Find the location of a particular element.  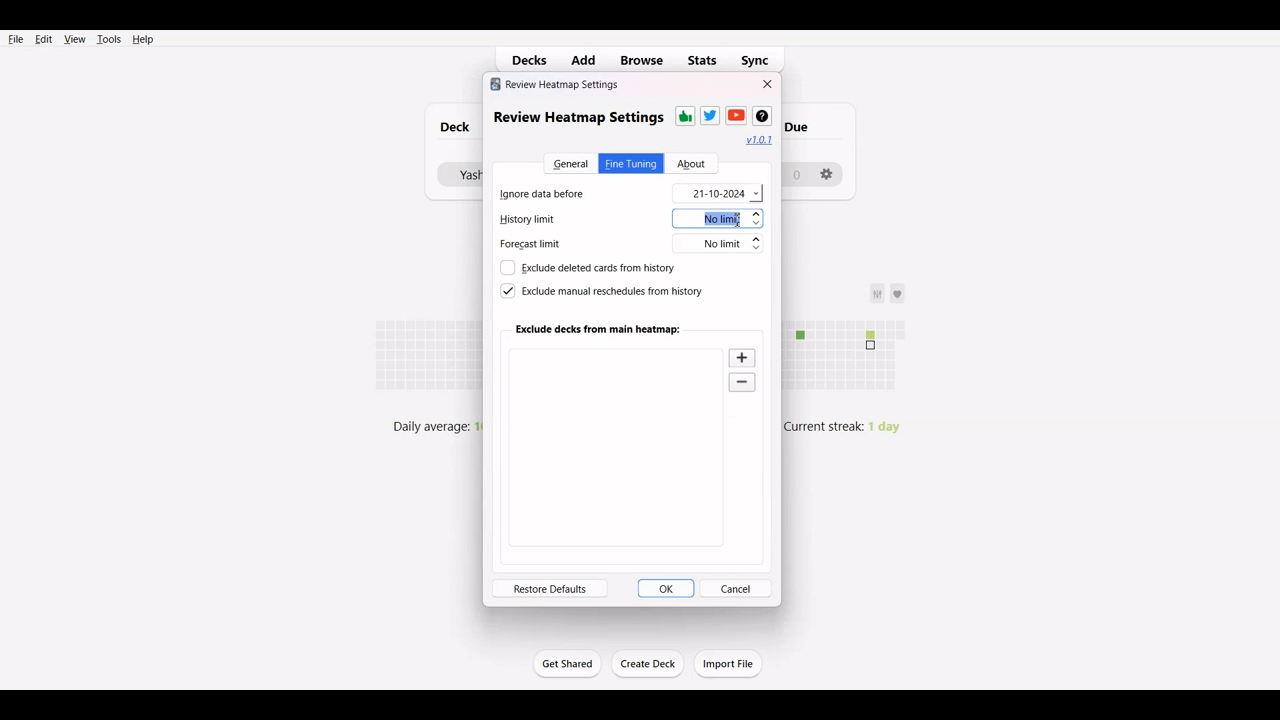

review heatmap settings is located at coordinates (555, 84).